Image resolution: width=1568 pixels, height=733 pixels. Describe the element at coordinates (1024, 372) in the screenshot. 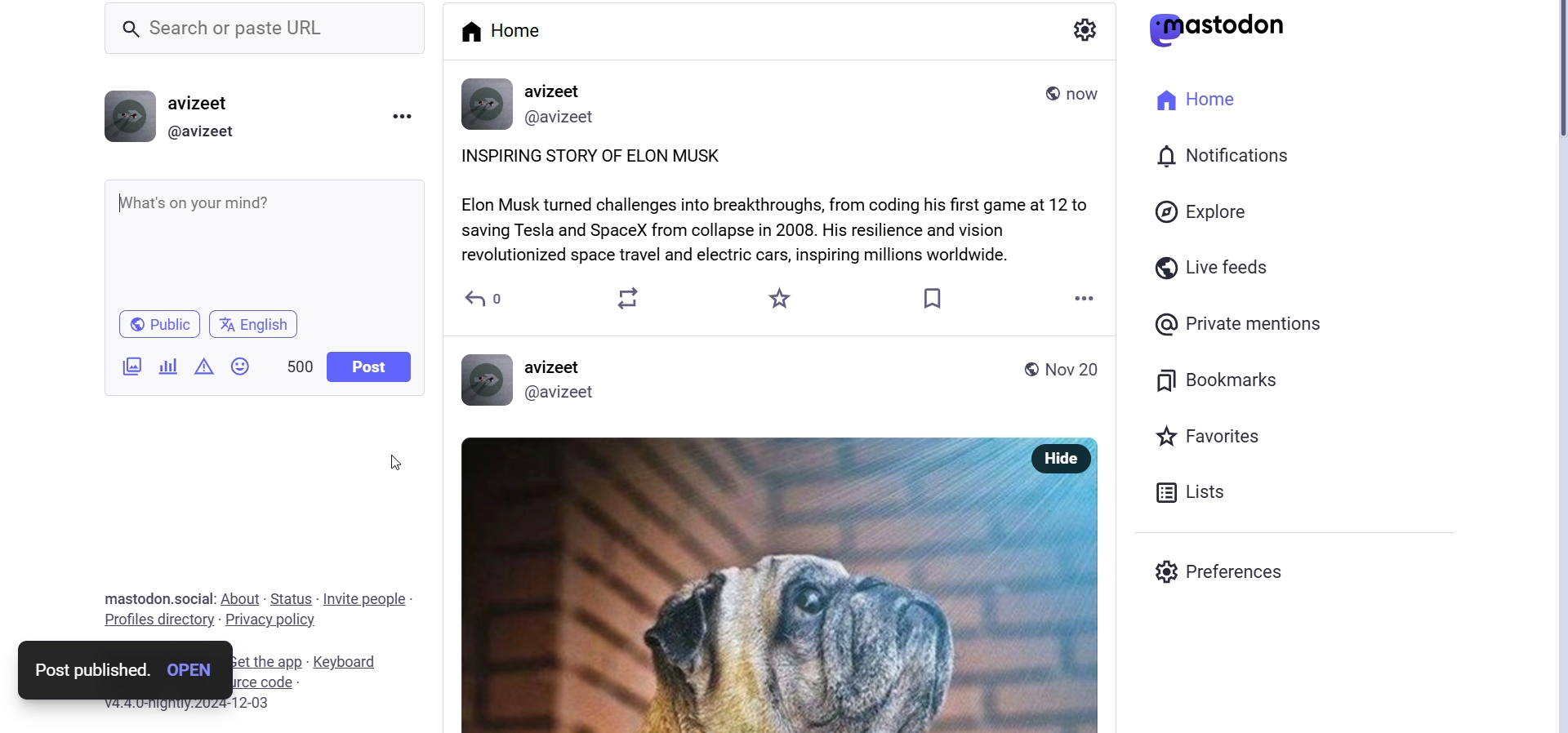

I see `global post` at that location.